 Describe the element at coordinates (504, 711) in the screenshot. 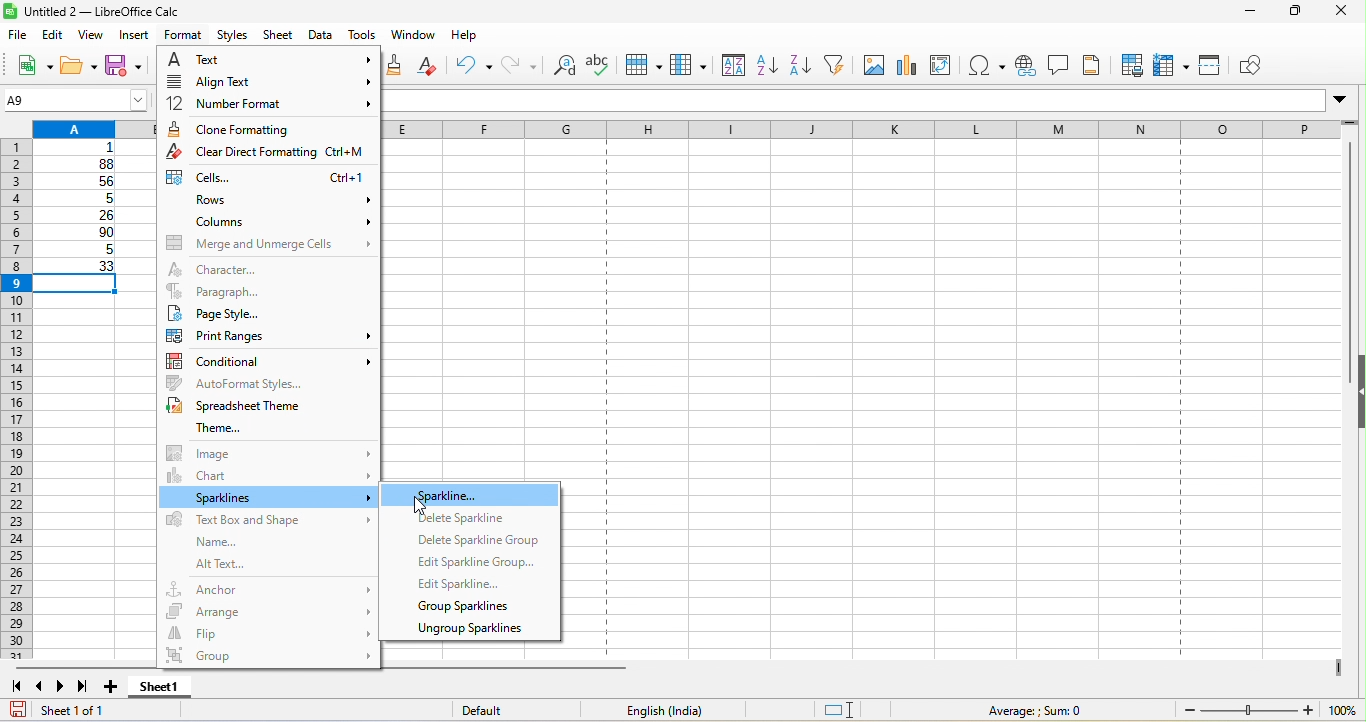

I see `default` at that location.